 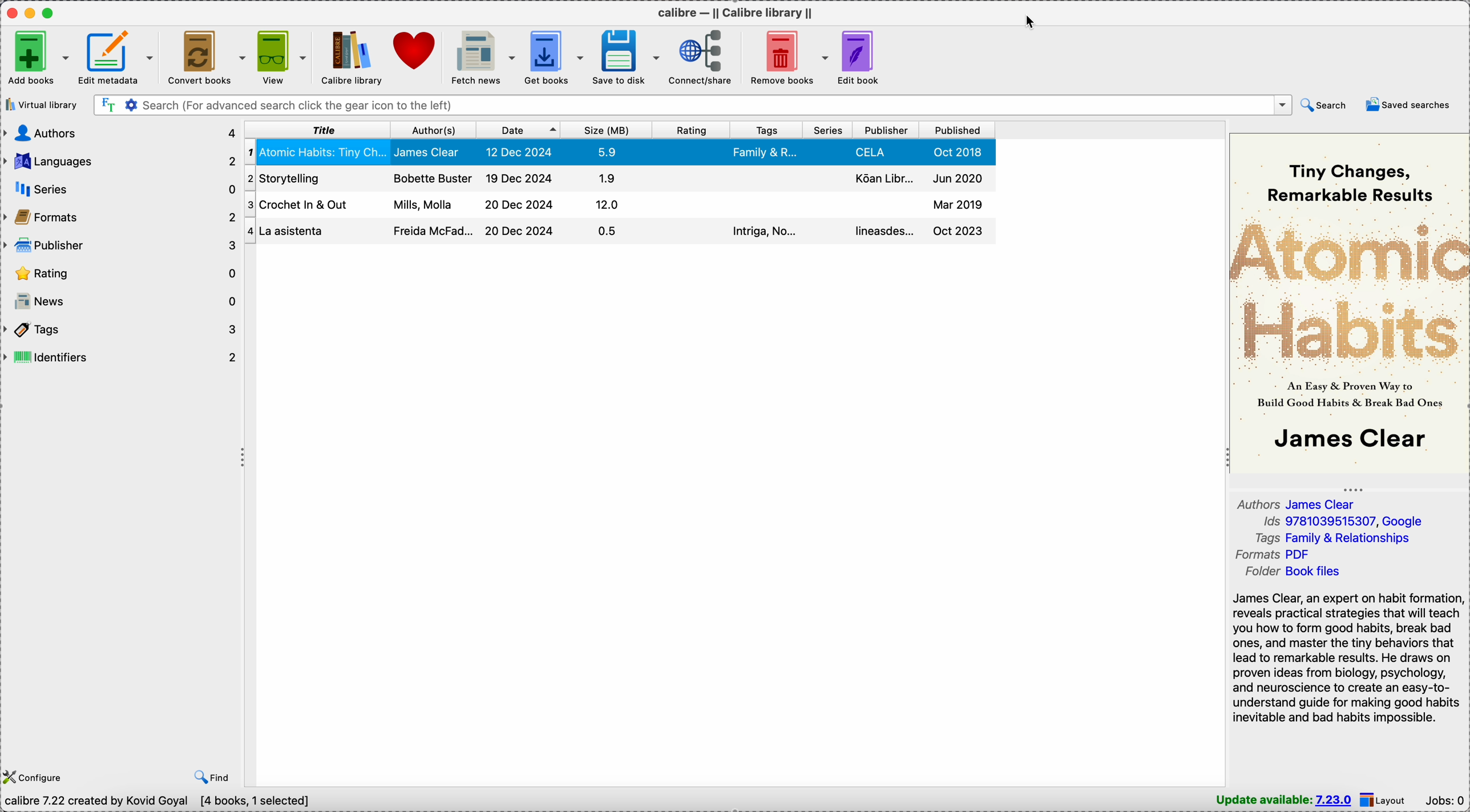 I want to click on book cover preview, so click(x=1350, y=304).